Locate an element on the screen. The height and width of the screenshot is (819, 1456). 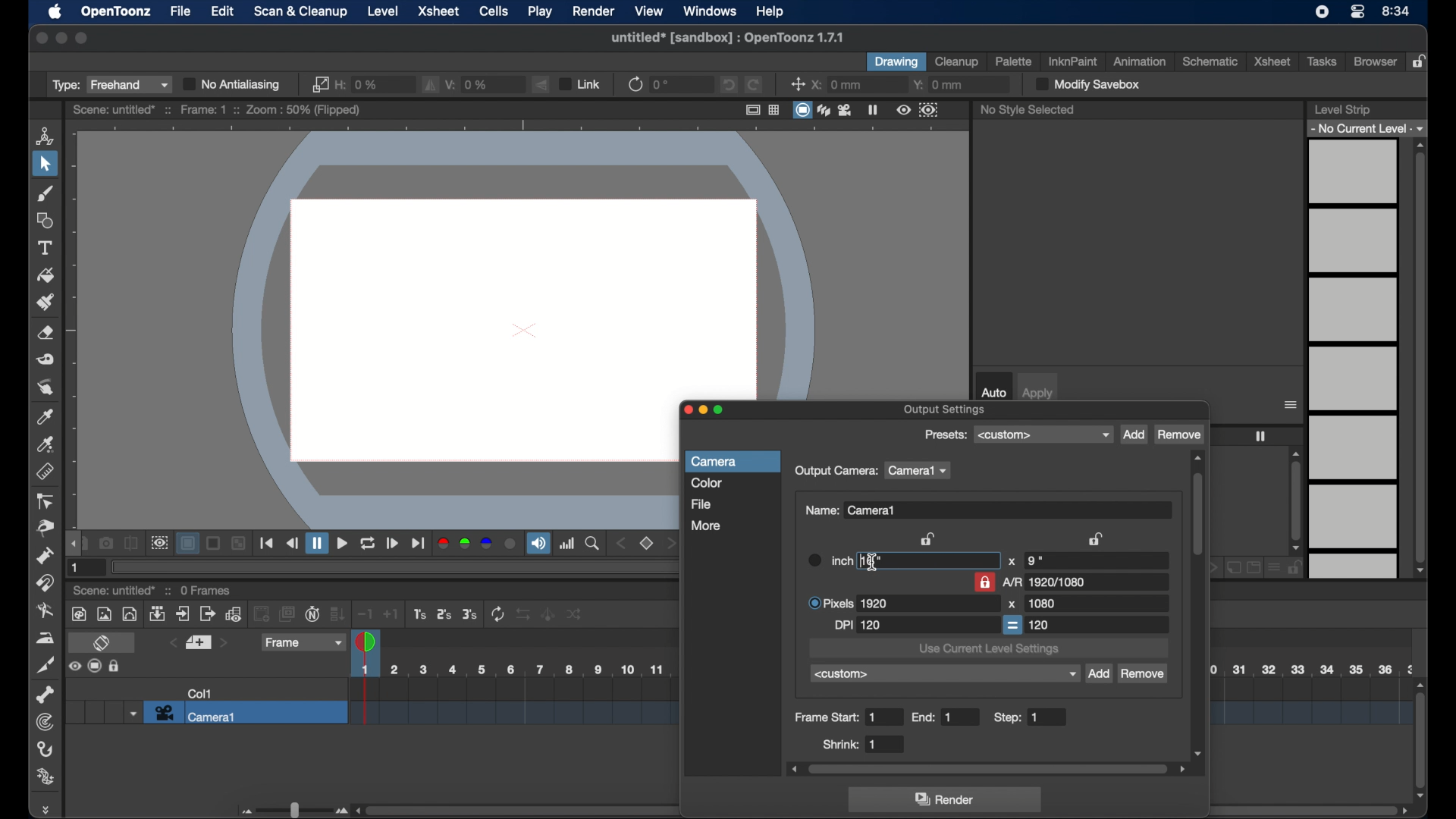
play is located at coordinates (541, 12).